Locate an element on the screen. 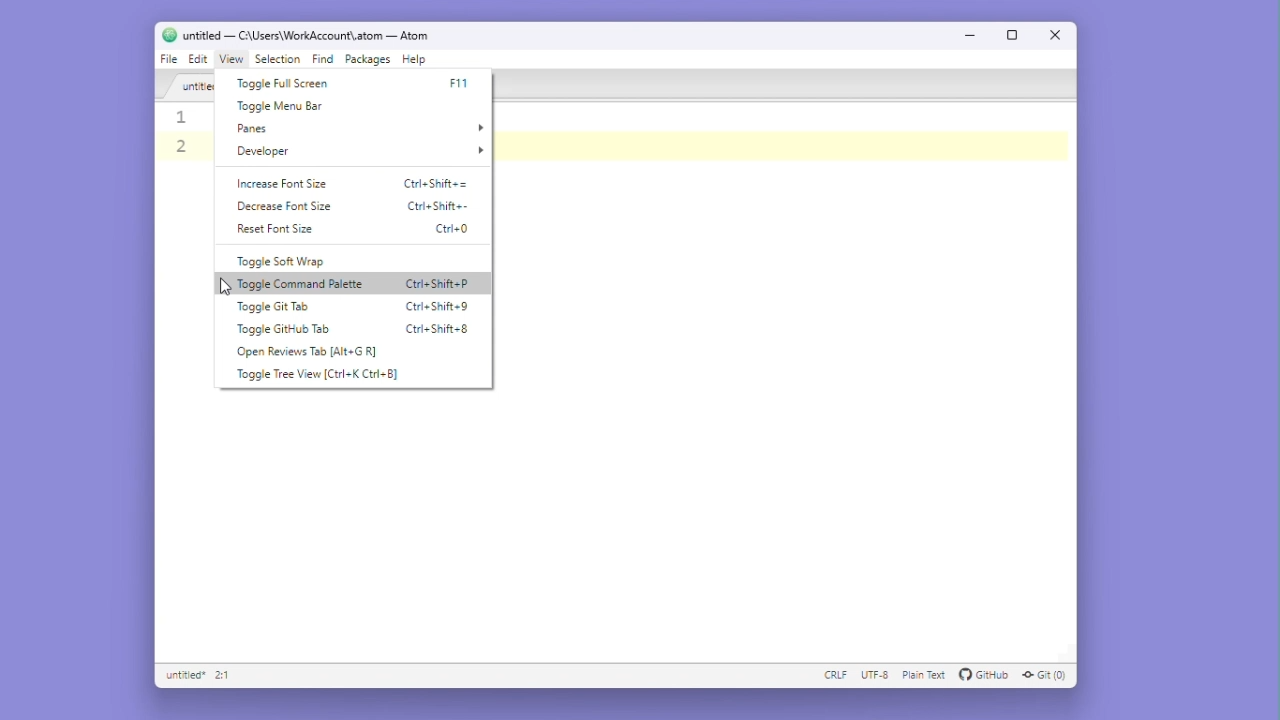  1 print("hello world")
2 is located at coordinates (186, 137).